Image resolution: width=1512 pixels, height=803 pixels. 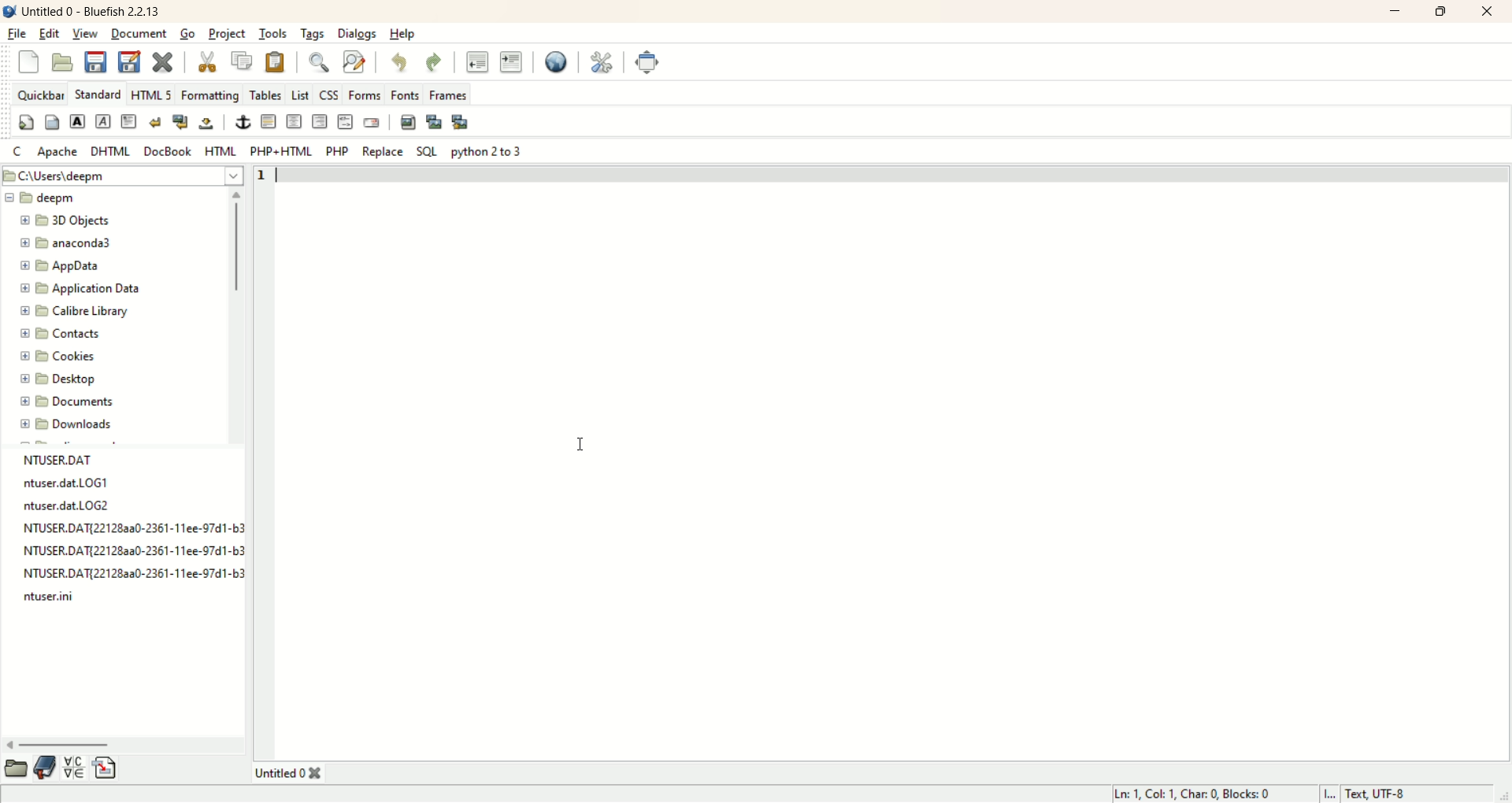 I want to click on document, so click(x=140, y=35).